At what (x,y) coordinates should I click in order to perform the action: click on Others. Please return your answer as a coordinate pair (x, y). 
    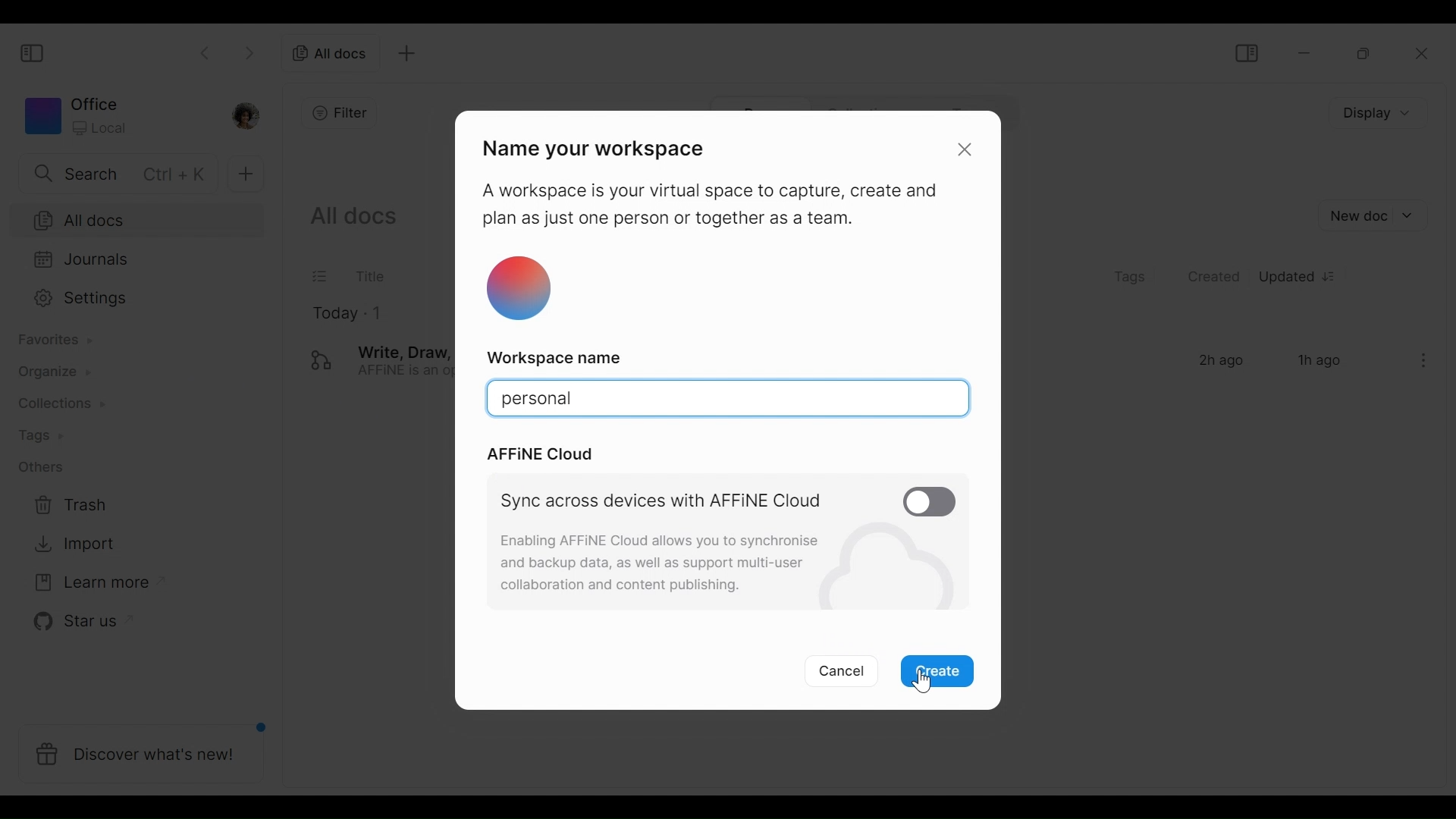
    Looking at the image, I should click on (39, 466).